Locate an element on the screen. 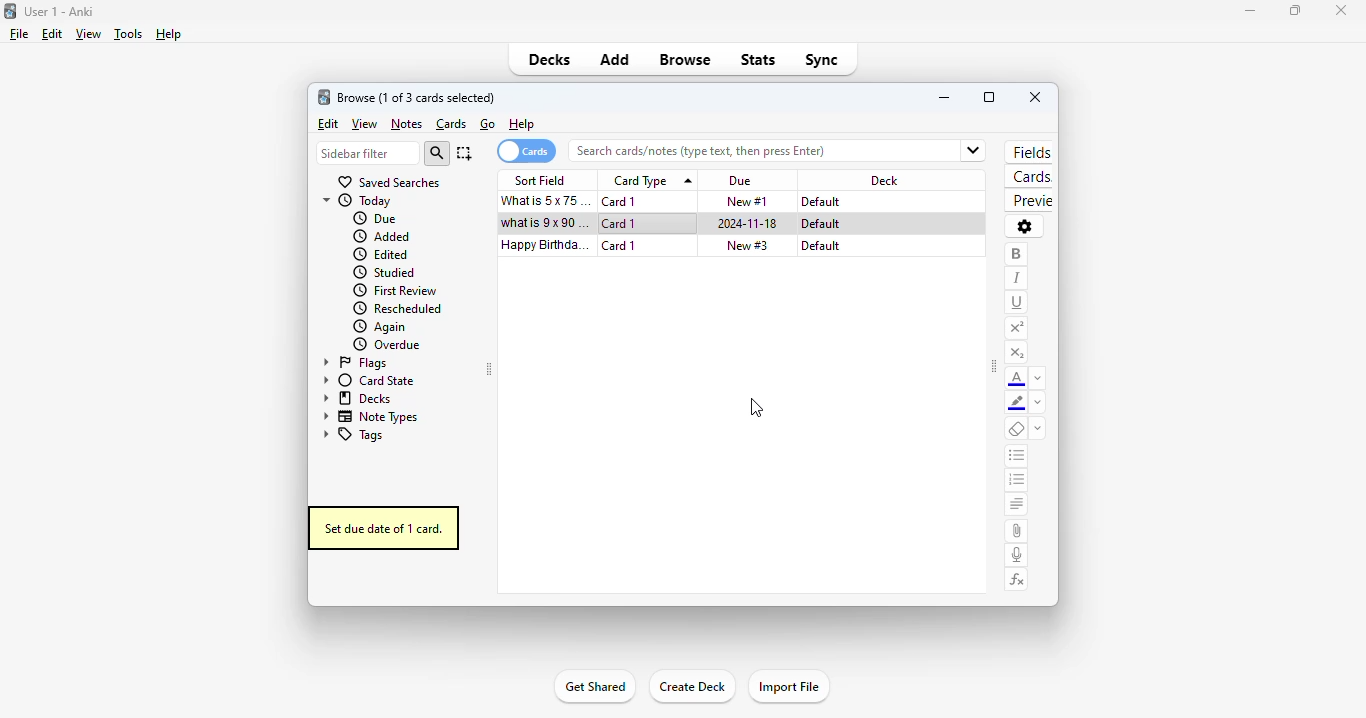 This screenshot has height=718, width=1366. equations is located at coordinates (1018, 581).